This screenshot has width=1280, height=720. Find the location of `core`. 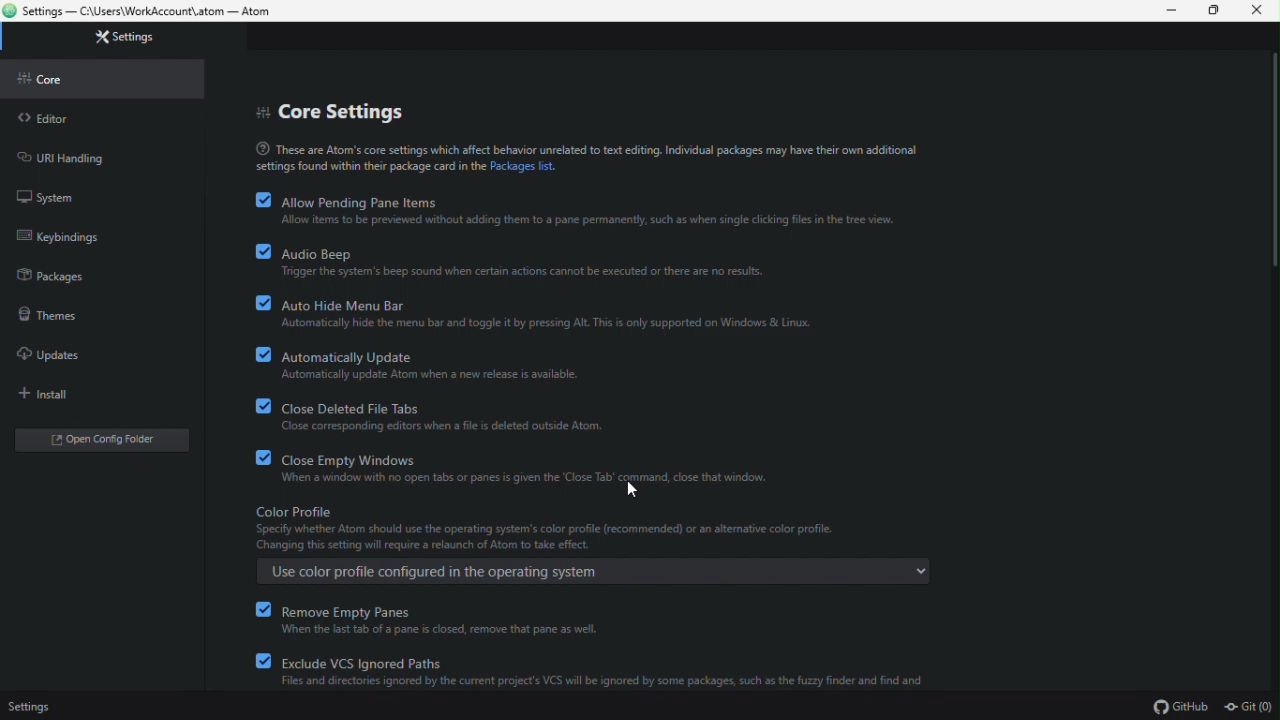

core is located at coordinates (55, 79).